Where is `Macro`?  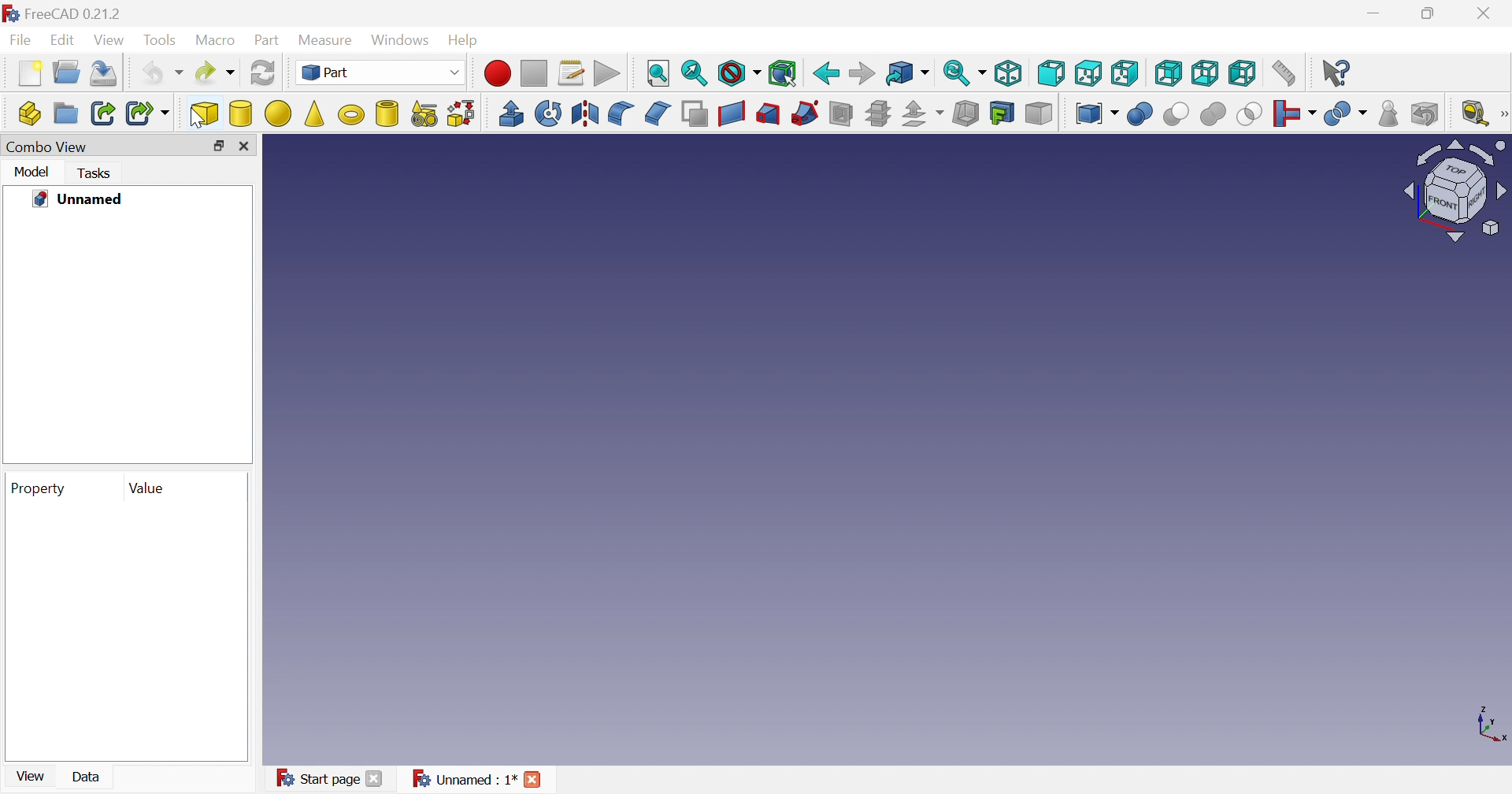 Macro is located at coordinates (216, 41).